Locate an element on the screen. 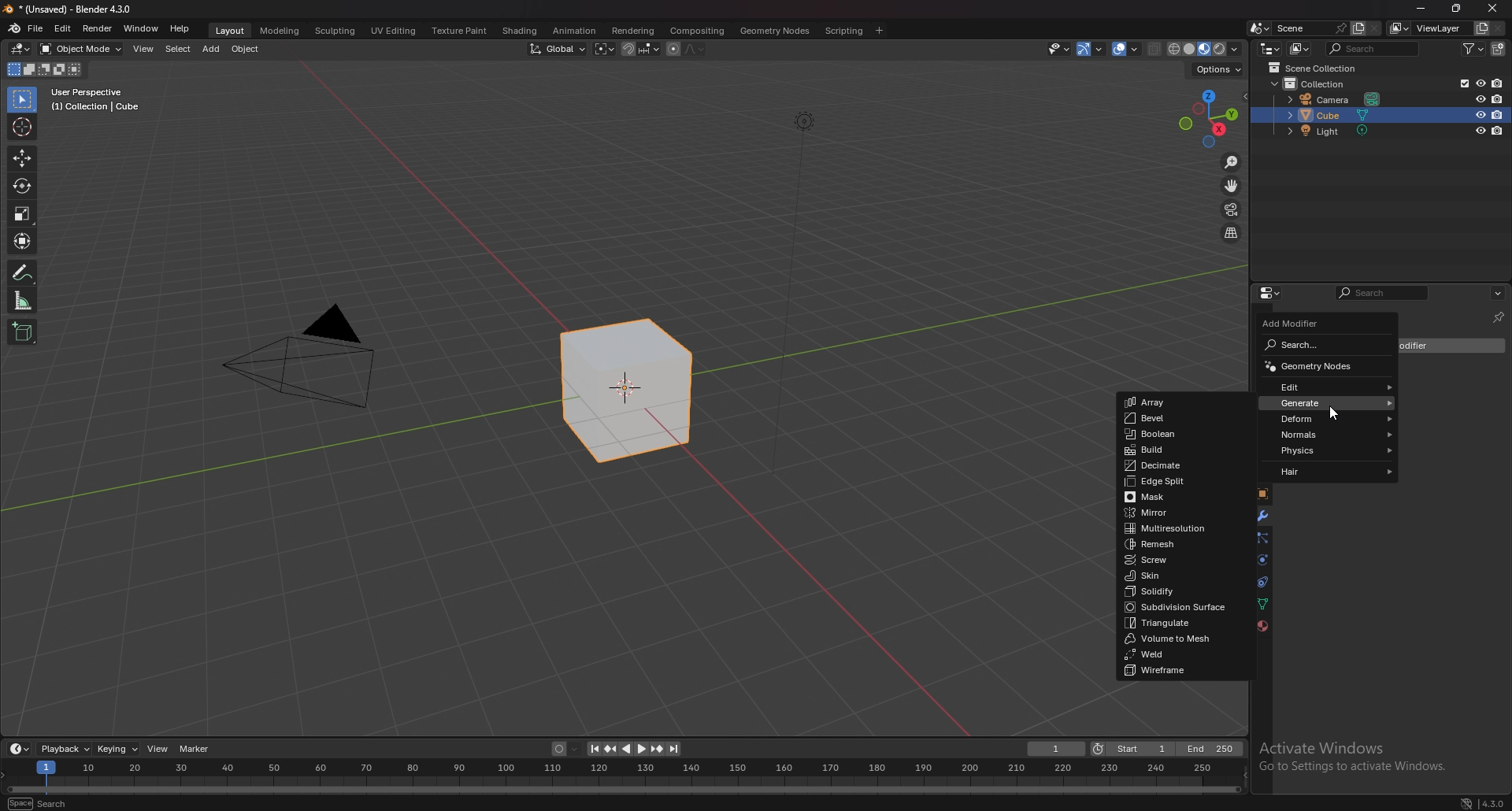 The height and width of the screenshot is (811, 1512). editor type is located at coordinates (1272, 294).